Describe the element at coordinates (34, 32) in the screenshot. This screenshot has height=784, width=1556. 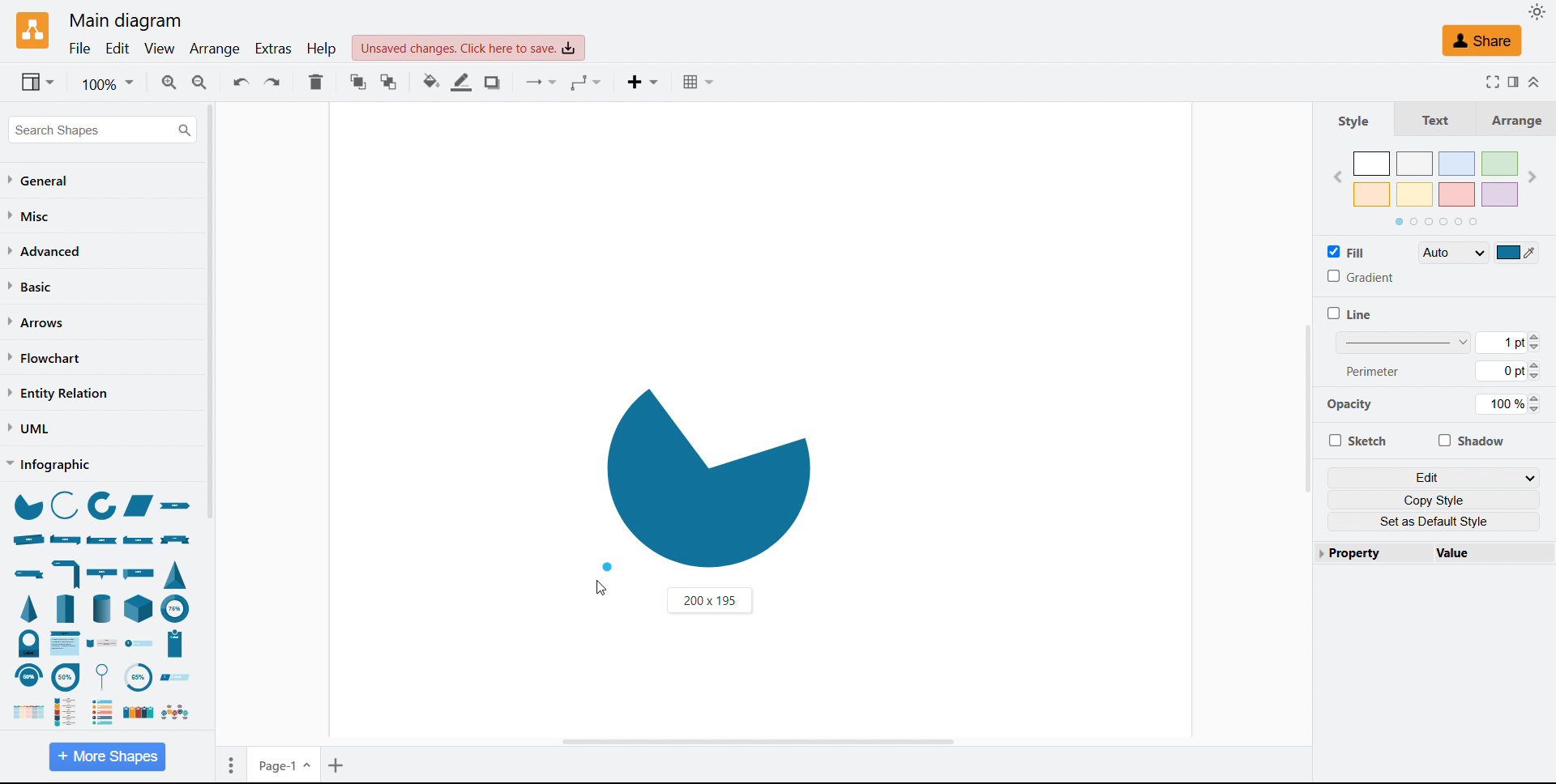
I see `Logo ` at that location.